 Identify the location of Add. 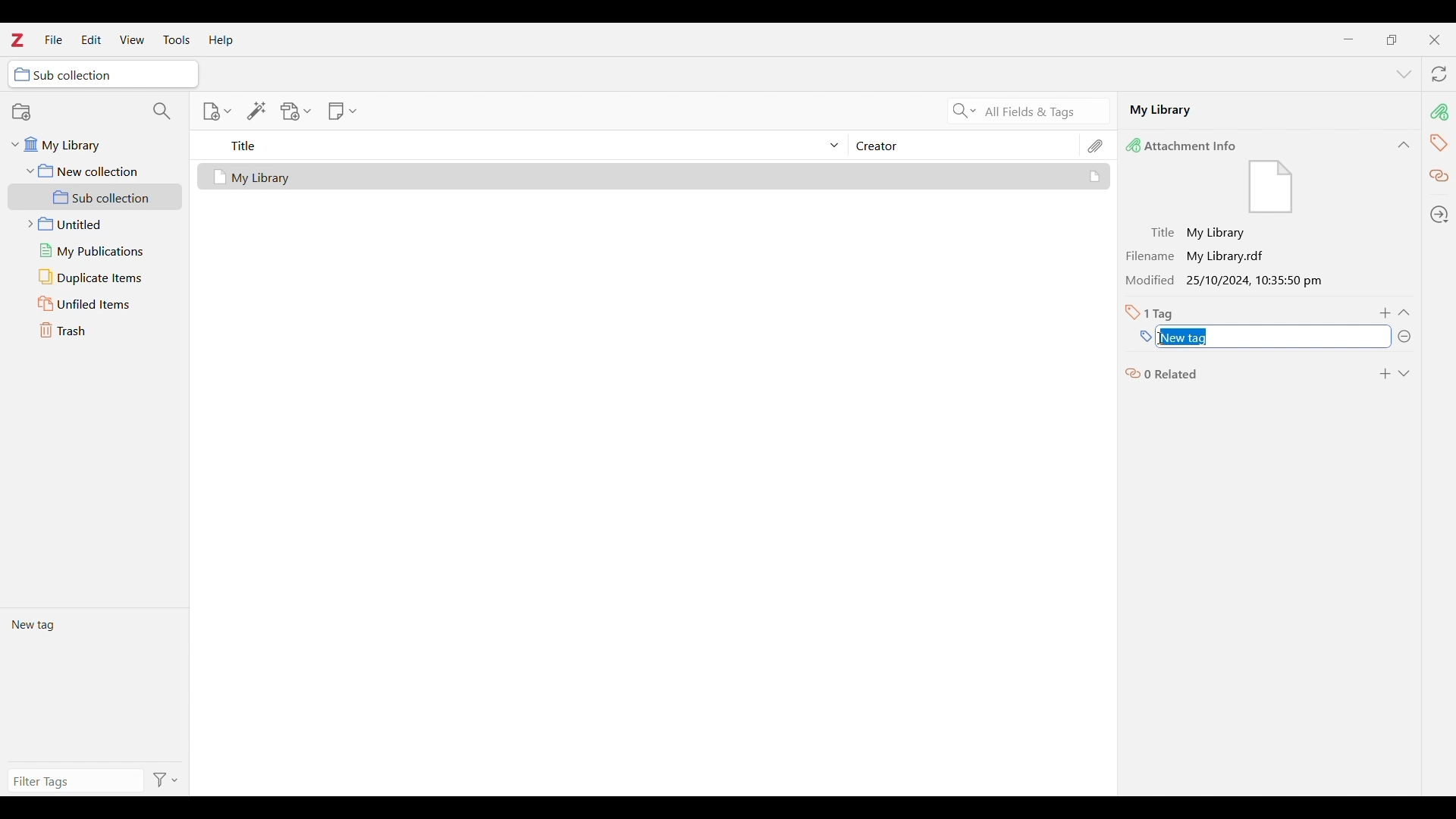
(1386, 313).